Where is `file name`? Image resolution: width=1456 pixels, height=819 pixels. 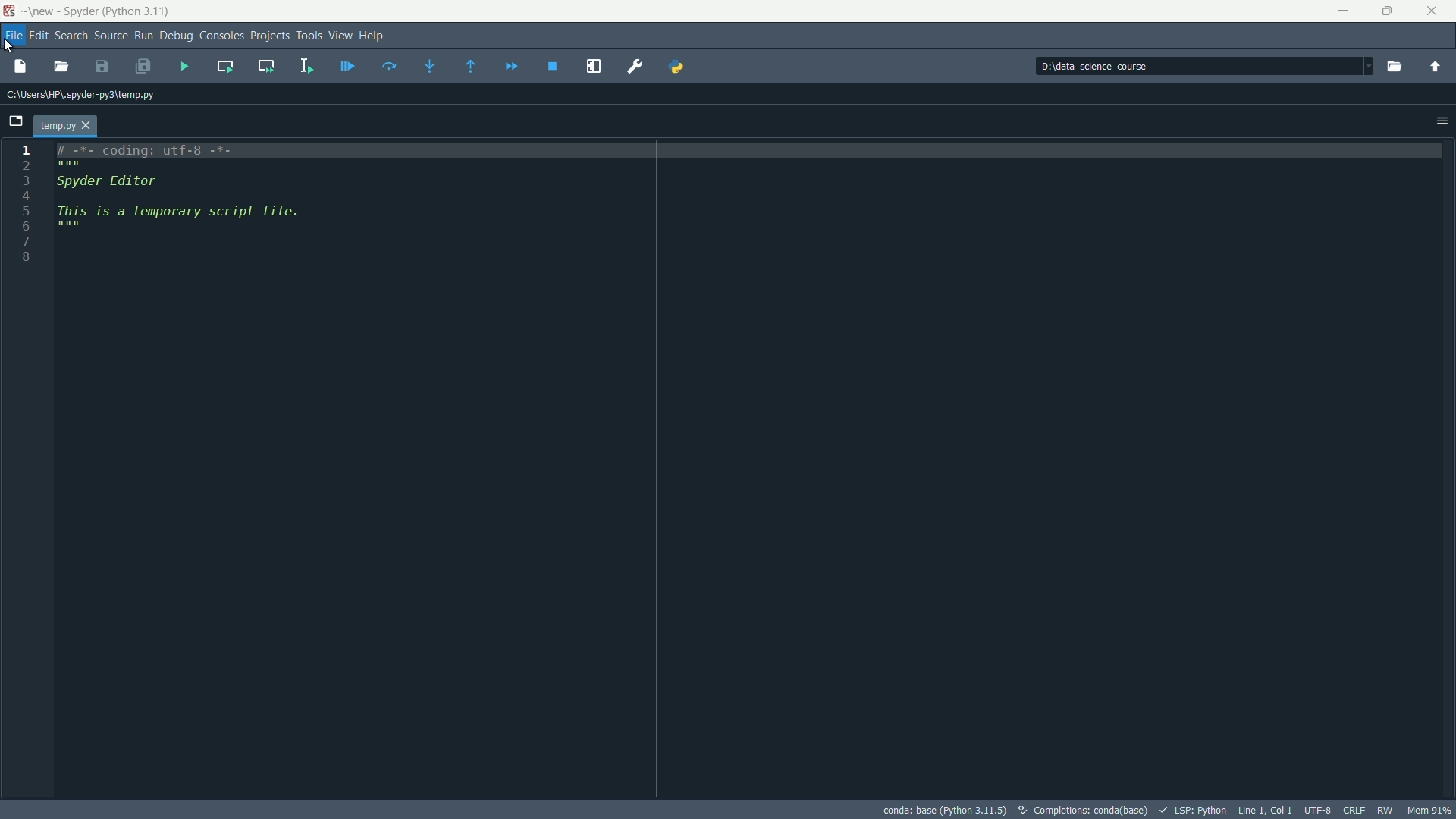
file name is located at coordinates (67, 126).